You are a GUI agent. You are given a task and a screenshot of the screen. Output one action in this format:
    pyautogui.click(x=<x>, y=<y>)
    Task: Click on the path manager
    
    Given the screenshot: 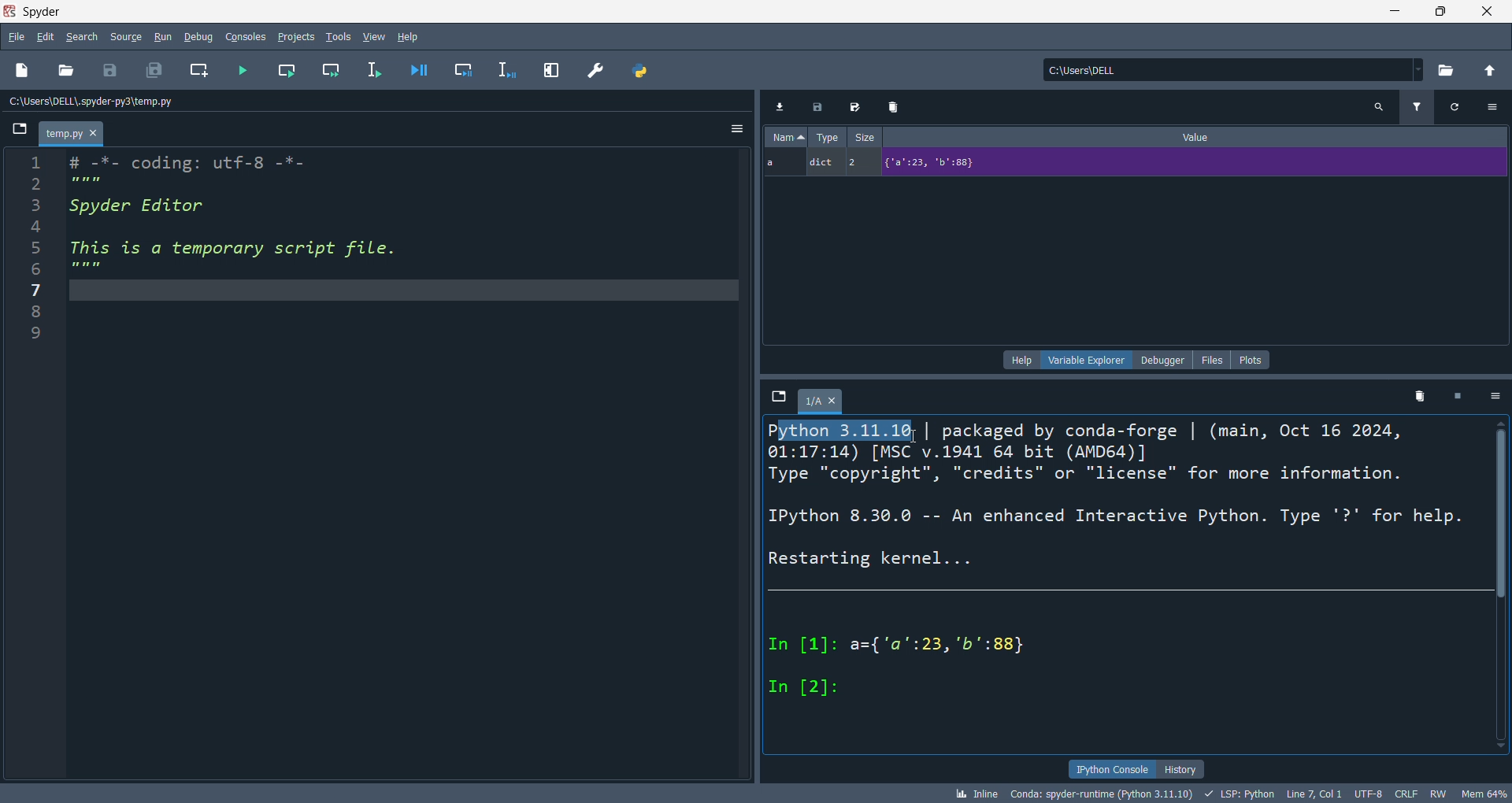 What is the action you would take?
    pyautogui.click(x=642, y=72)
    